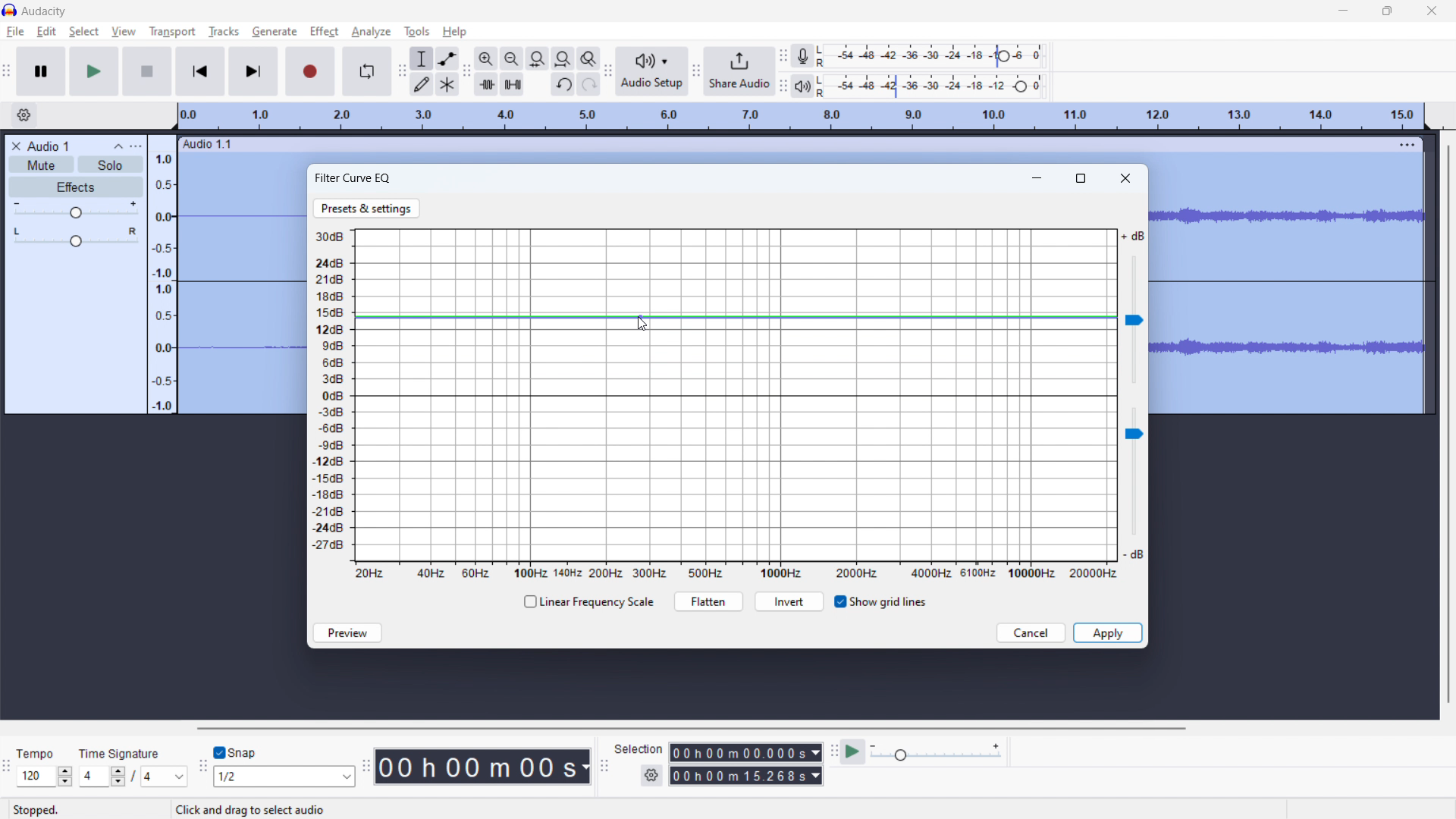  I want to click on cancel, so click(1031, 633).